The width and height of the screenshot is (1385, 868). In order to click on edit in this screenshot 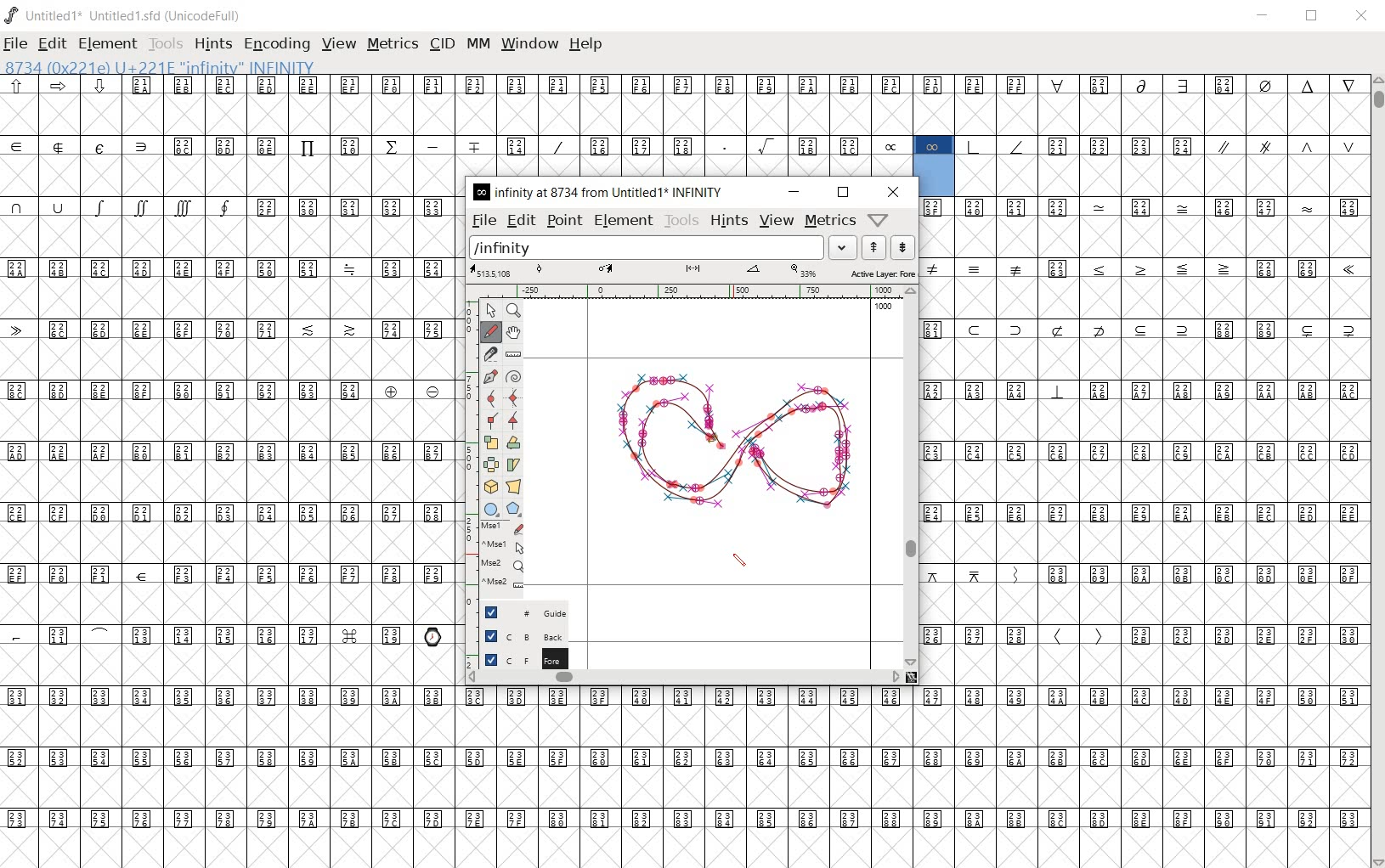, I will do `click(520, 219)`.